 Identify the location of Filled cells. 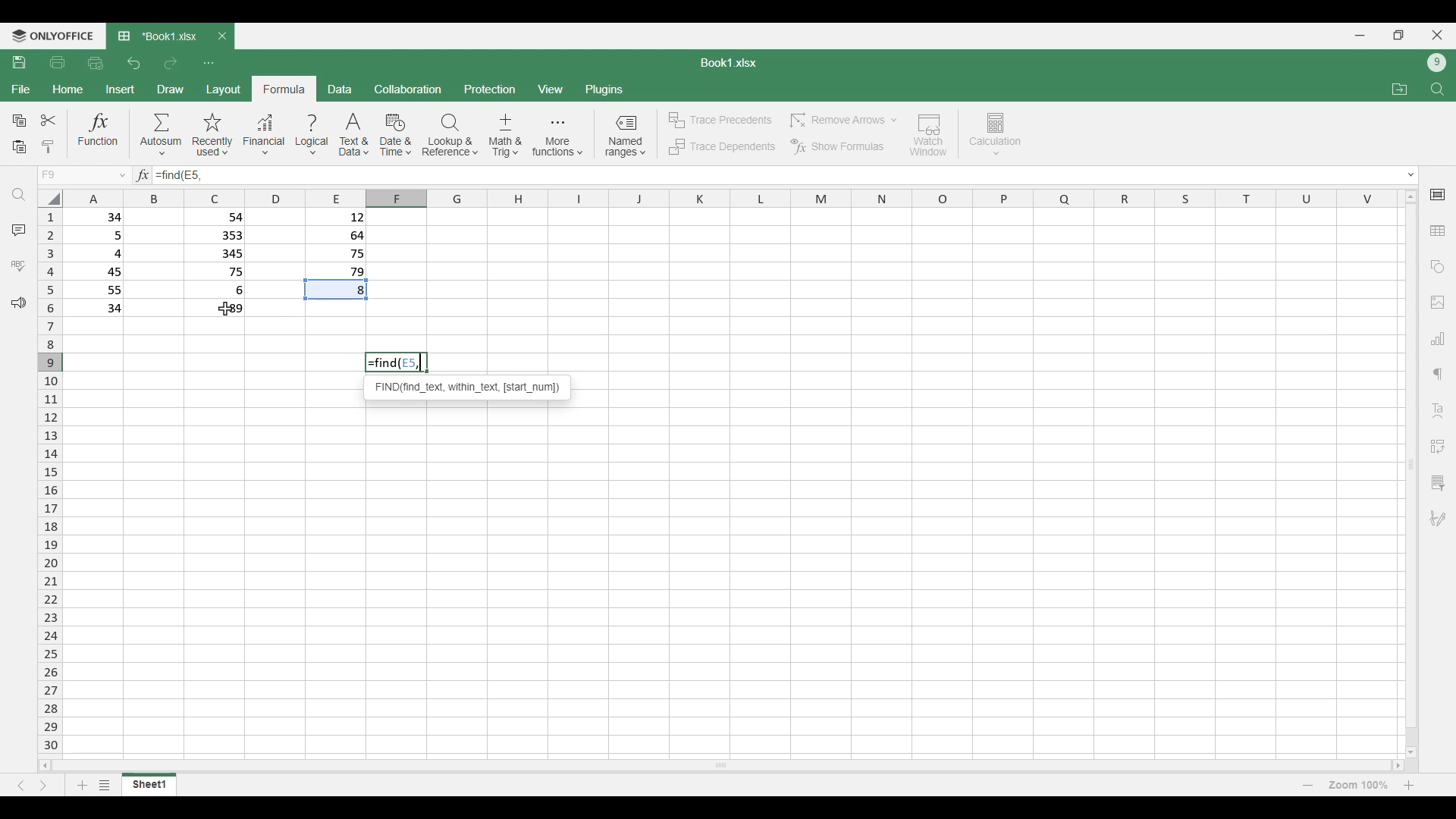
(218, 263).